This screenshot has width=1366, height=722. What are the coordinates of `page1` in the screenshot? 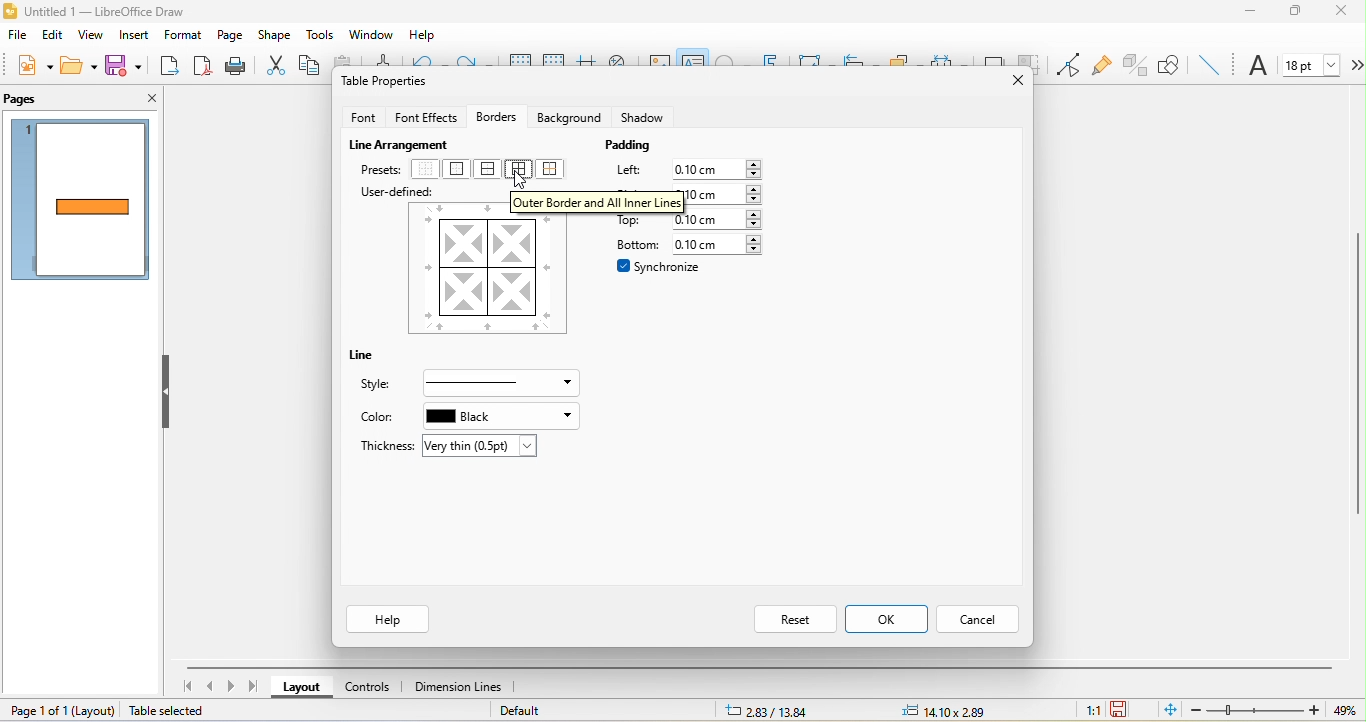 It's located at (82, 202).